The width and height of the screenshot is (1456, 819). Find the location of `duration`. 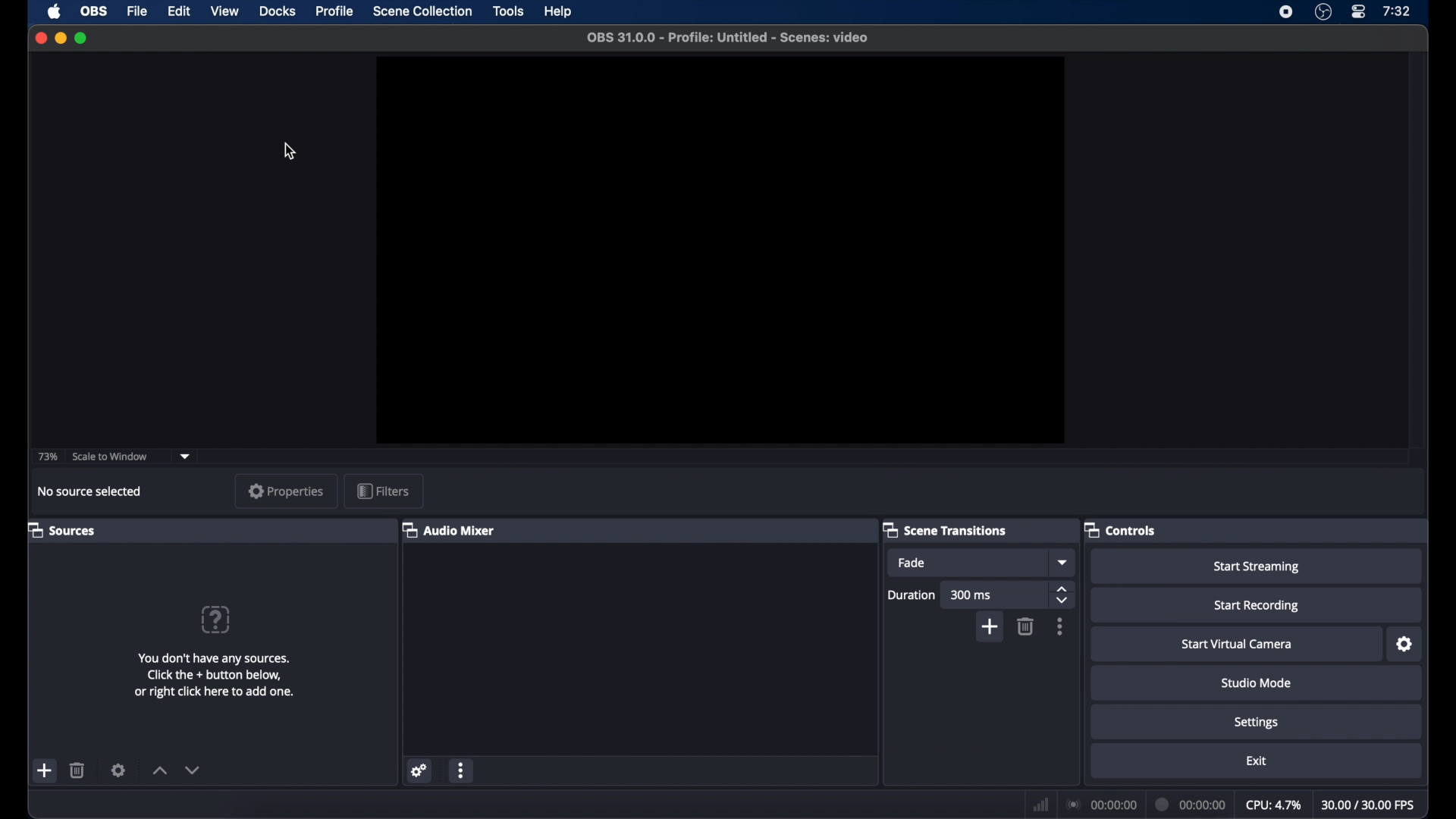

duration is located at coordinates (910, 595).